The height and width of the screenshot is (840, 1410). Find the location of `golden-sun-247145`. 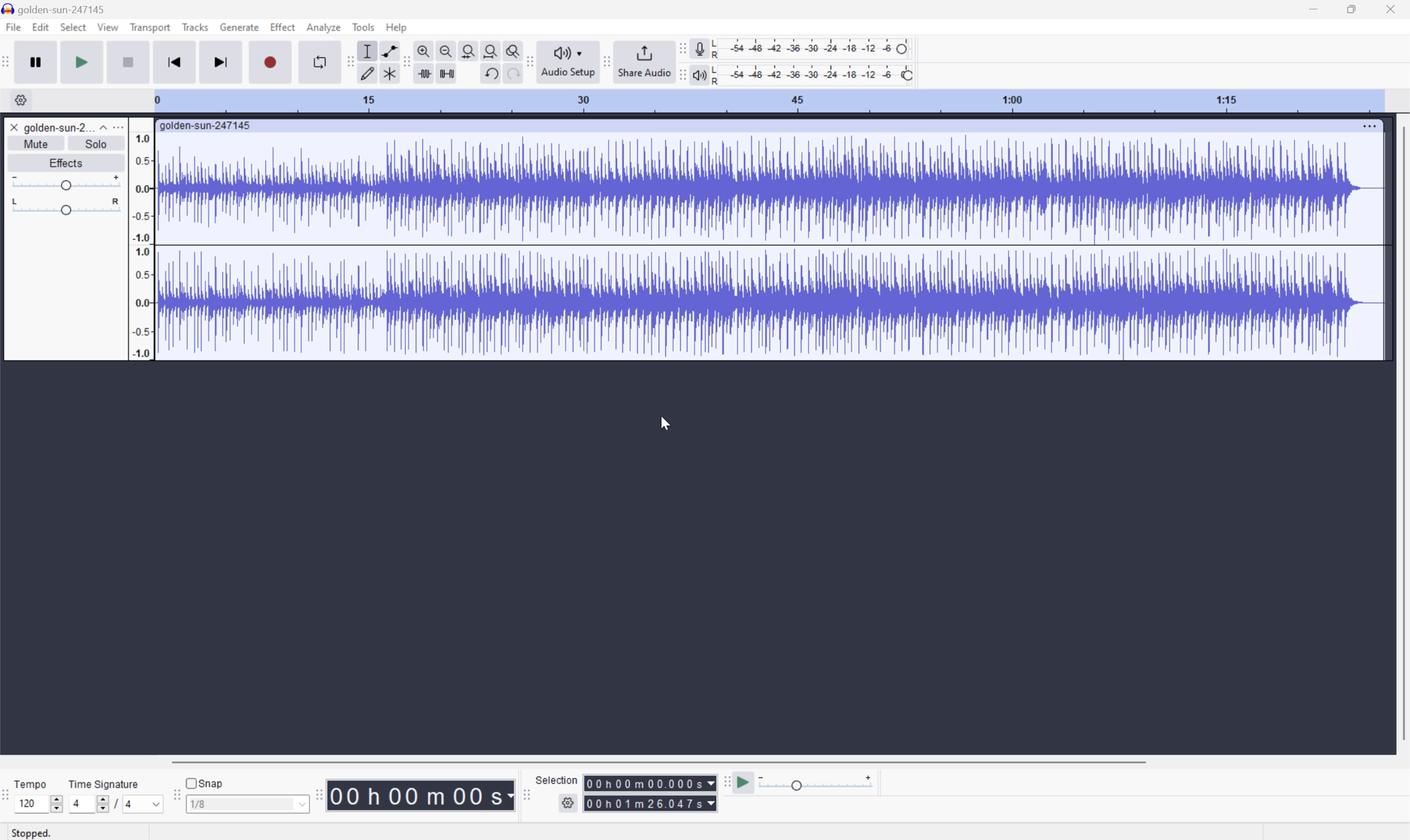

golden-sun-247145 is located at coordinates (206, 127).